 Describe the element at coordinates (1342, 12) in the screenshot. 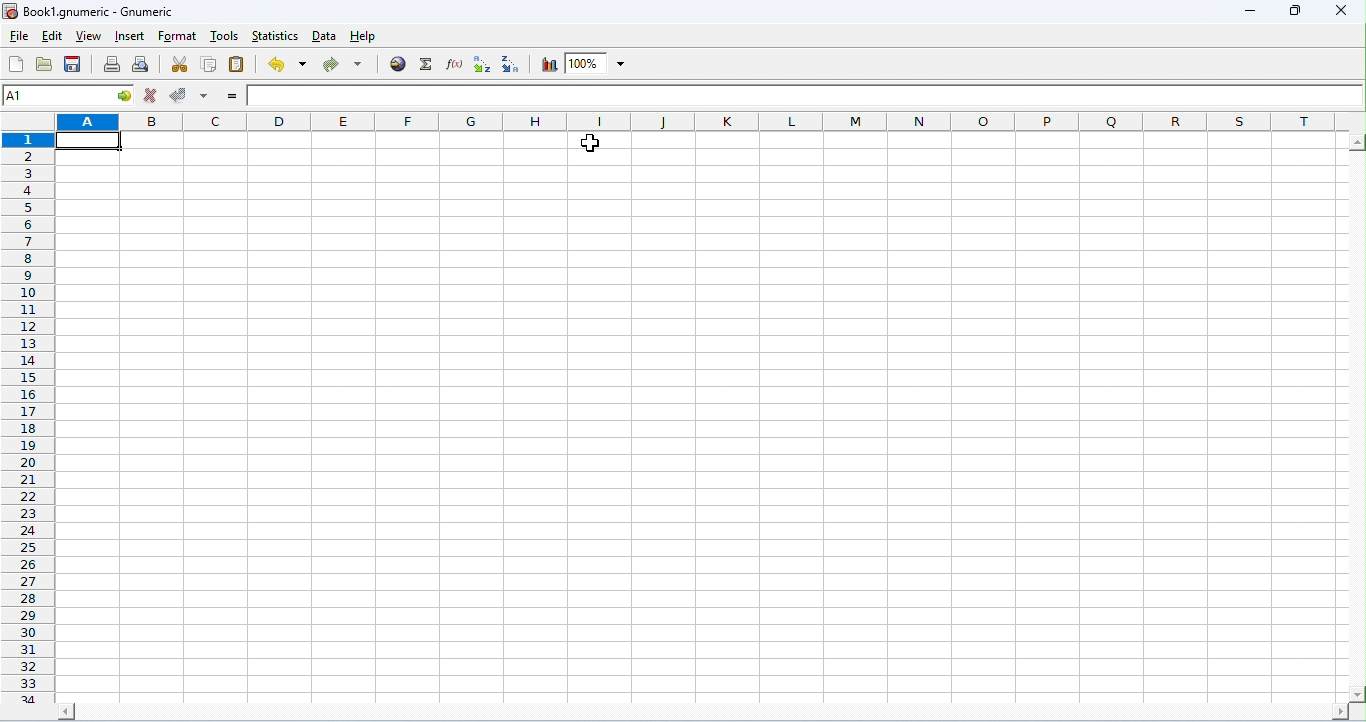

I see `close` at that location.